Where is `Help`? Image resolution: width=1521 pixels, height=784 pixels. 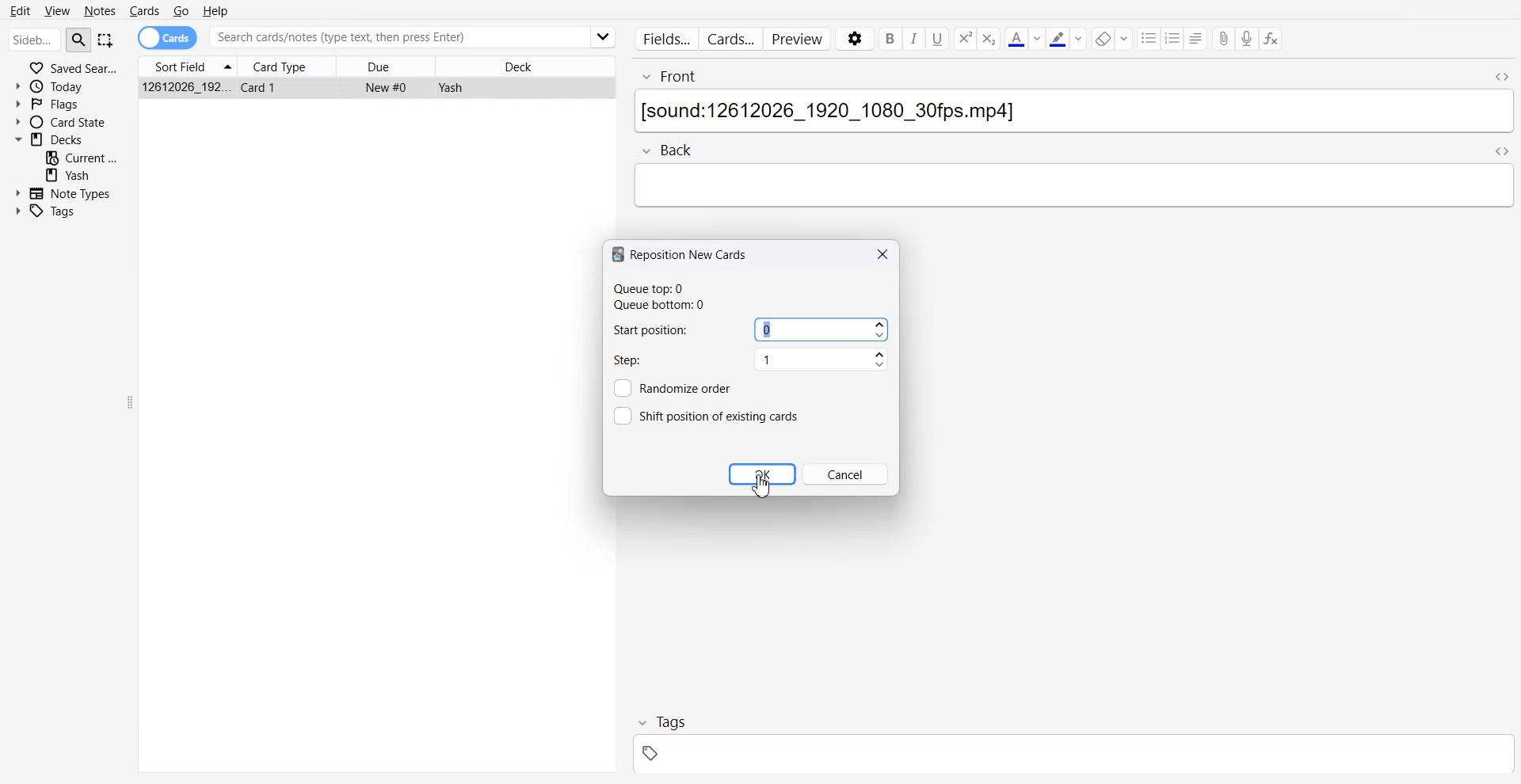 Help is located at coordinates (217, 10).